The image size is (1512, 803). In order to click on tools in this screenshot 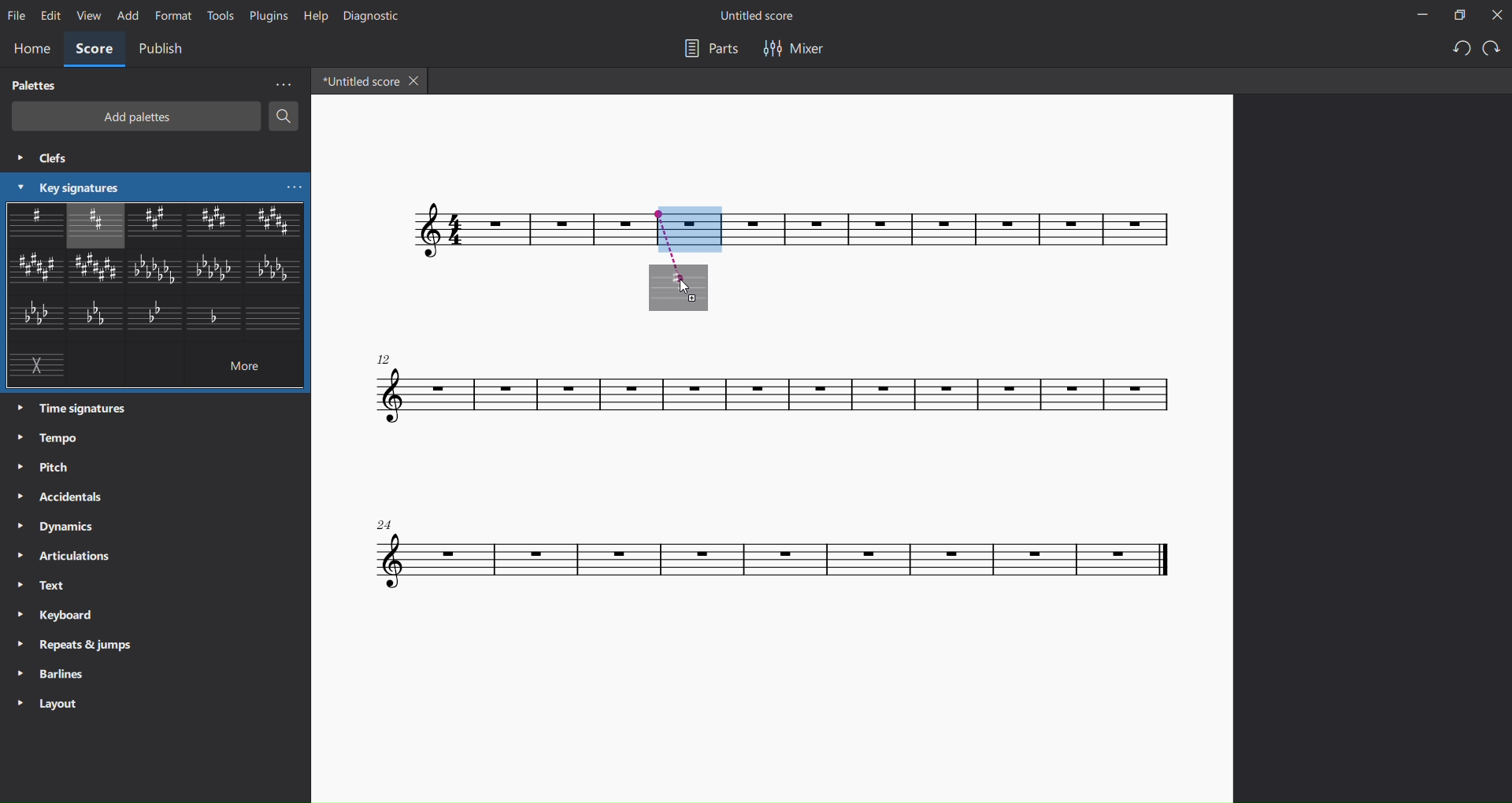, I will do `click(219, 13)`.